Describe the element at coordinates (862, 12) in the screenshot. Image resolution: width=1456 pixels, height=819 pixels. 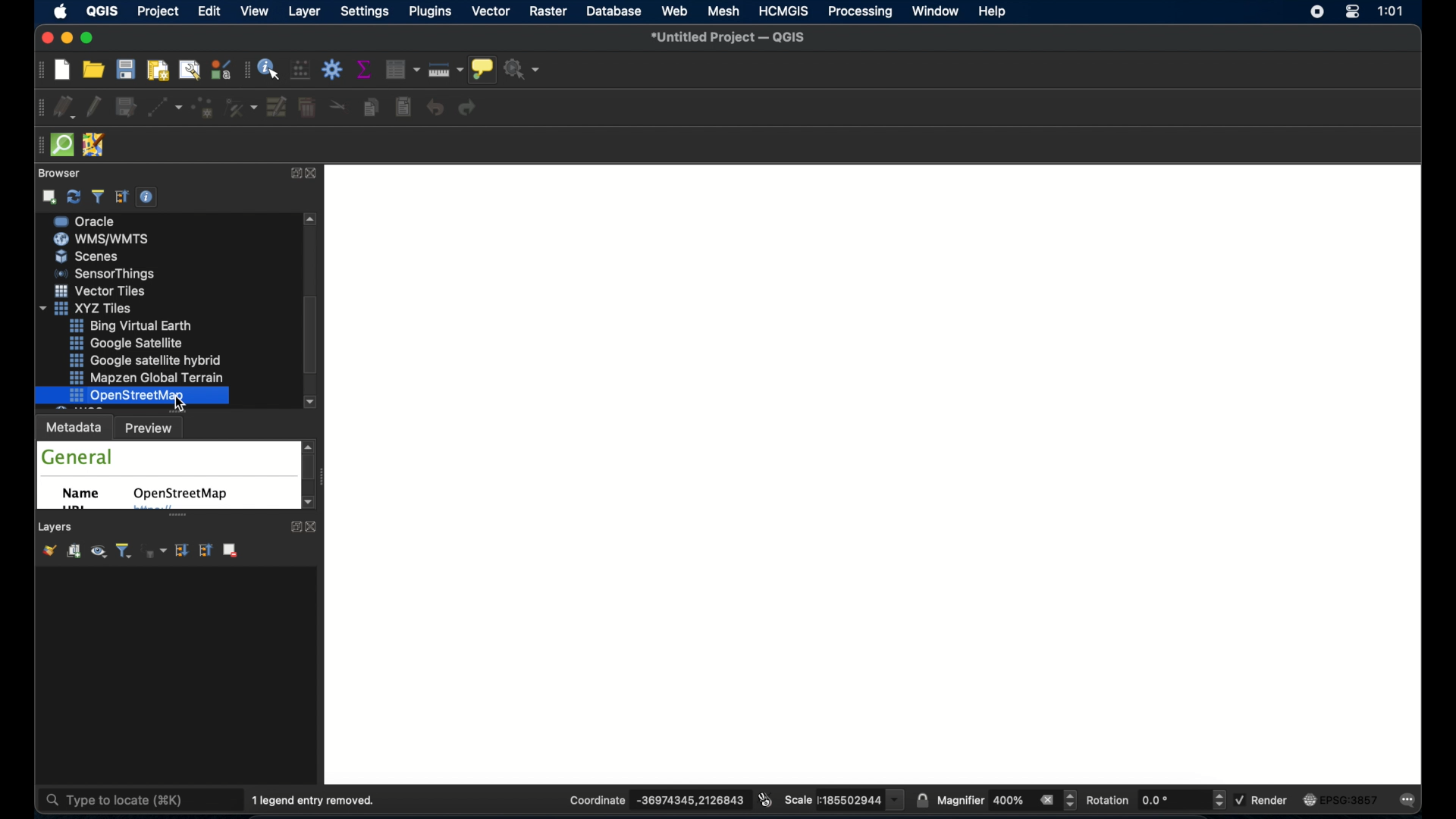
I see `processing` at that location.